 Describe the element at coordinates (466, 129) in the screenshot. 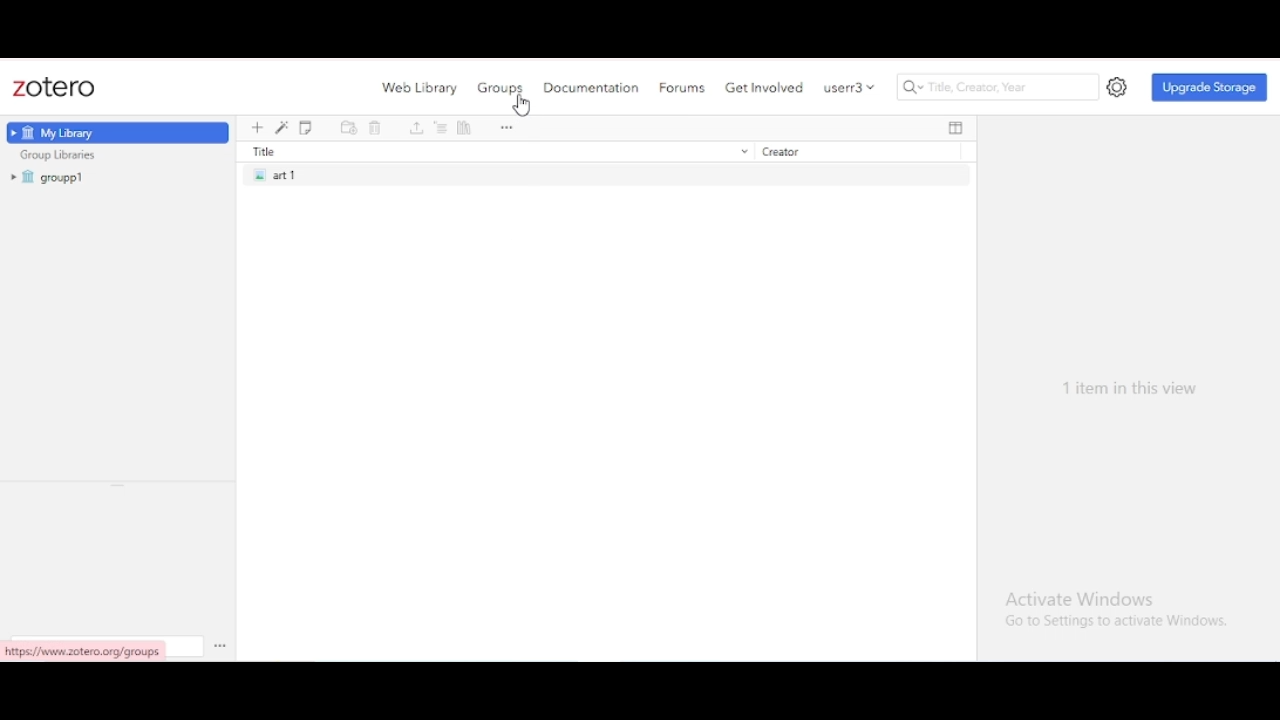

I see `create bibliography` at that location.